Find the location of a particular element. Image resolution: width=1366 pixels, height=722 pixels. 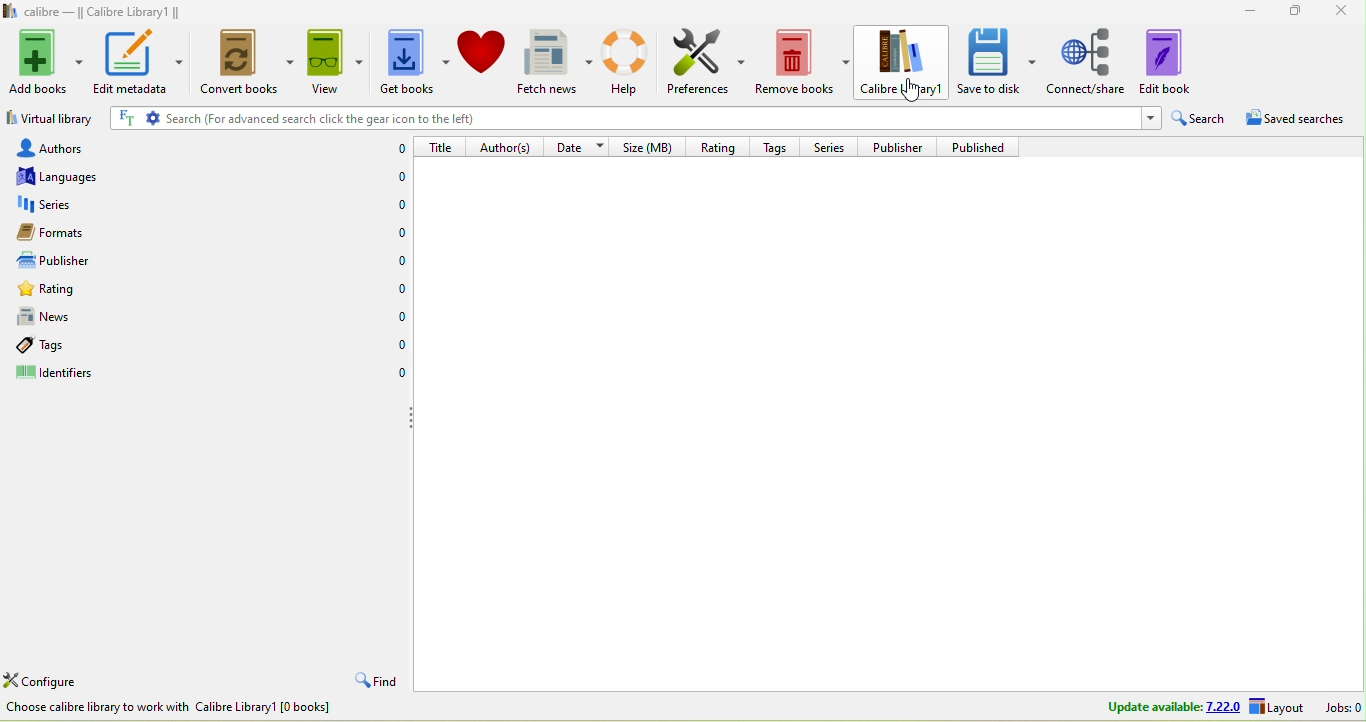

author(s) is located at coordinates (508, 146).